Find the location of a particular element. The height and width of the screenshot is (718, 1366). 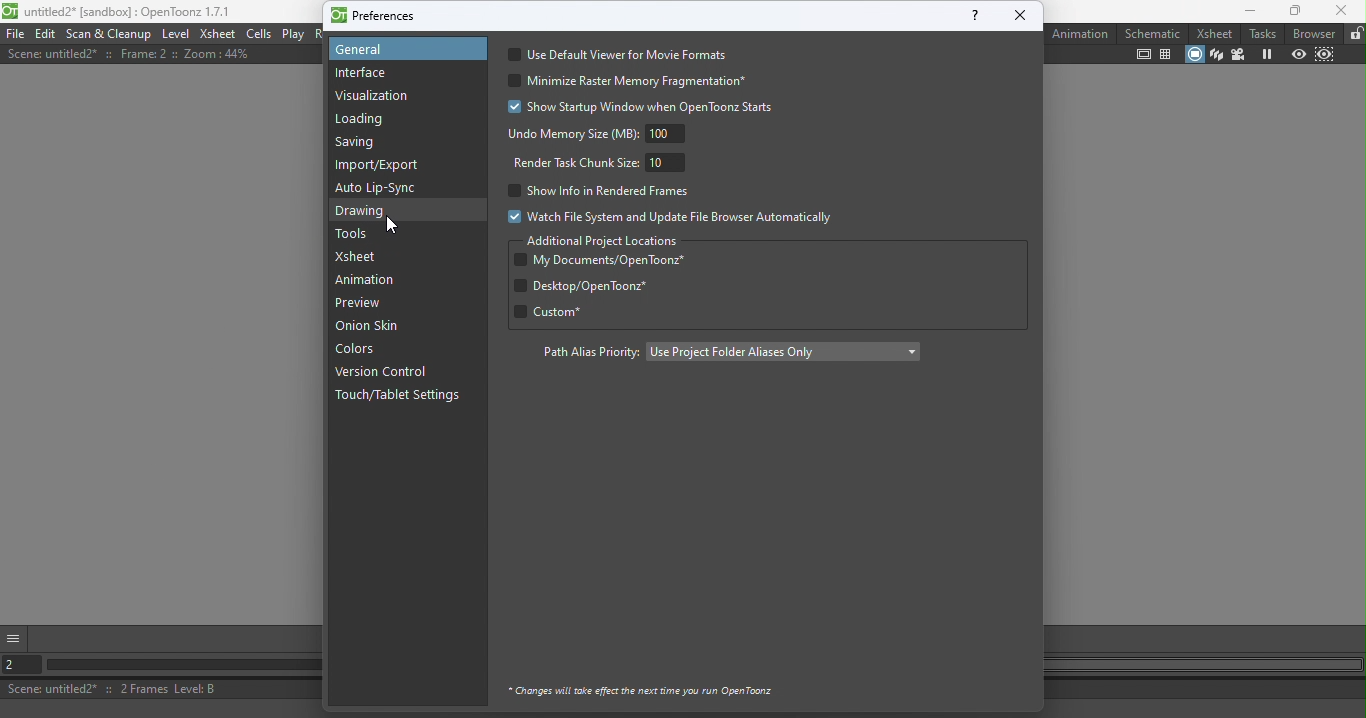

Indo memory size is located at coordinates (597, 133).